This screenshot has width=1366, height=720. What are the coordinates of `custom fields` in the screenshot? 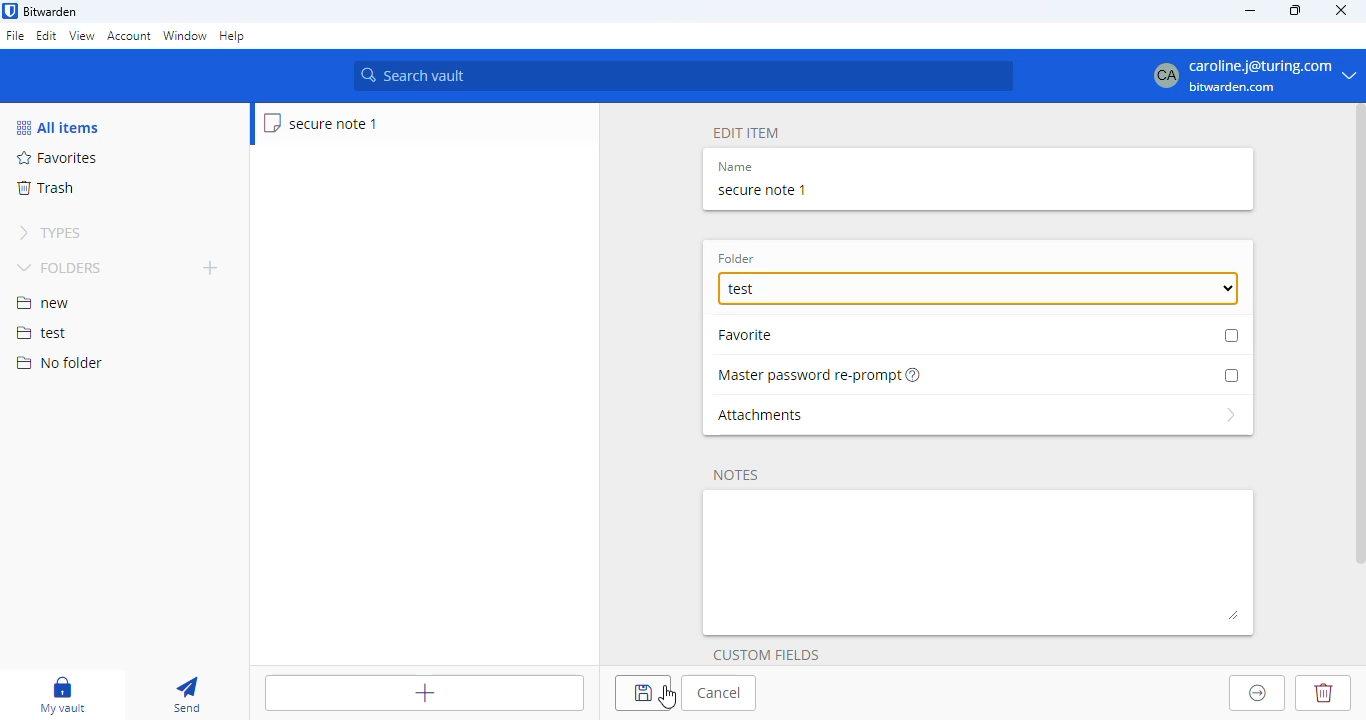 It's located at (766, 655).